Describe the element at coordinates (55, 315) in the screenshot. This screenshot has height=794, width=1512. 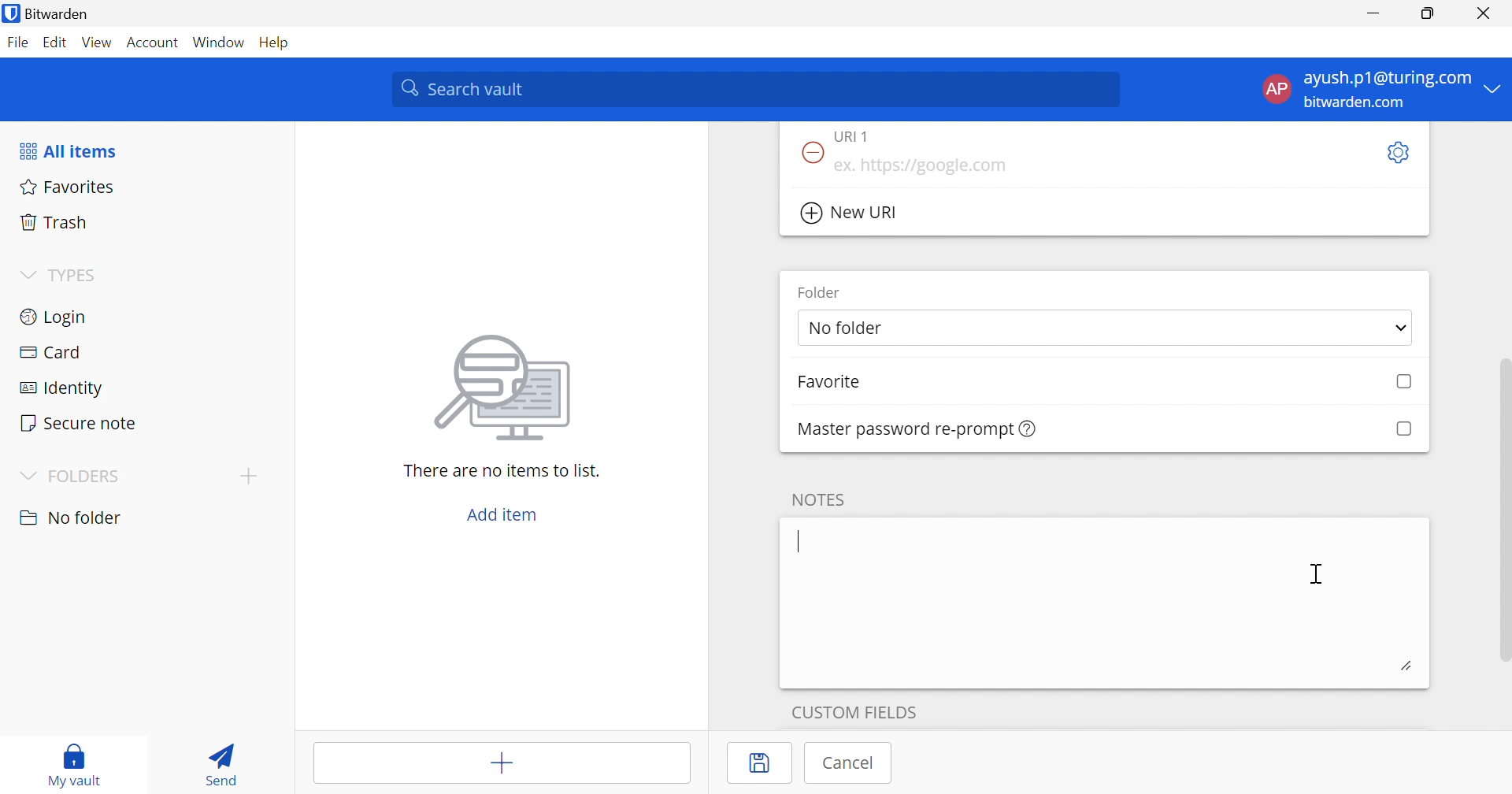
I see `Login` at that location.